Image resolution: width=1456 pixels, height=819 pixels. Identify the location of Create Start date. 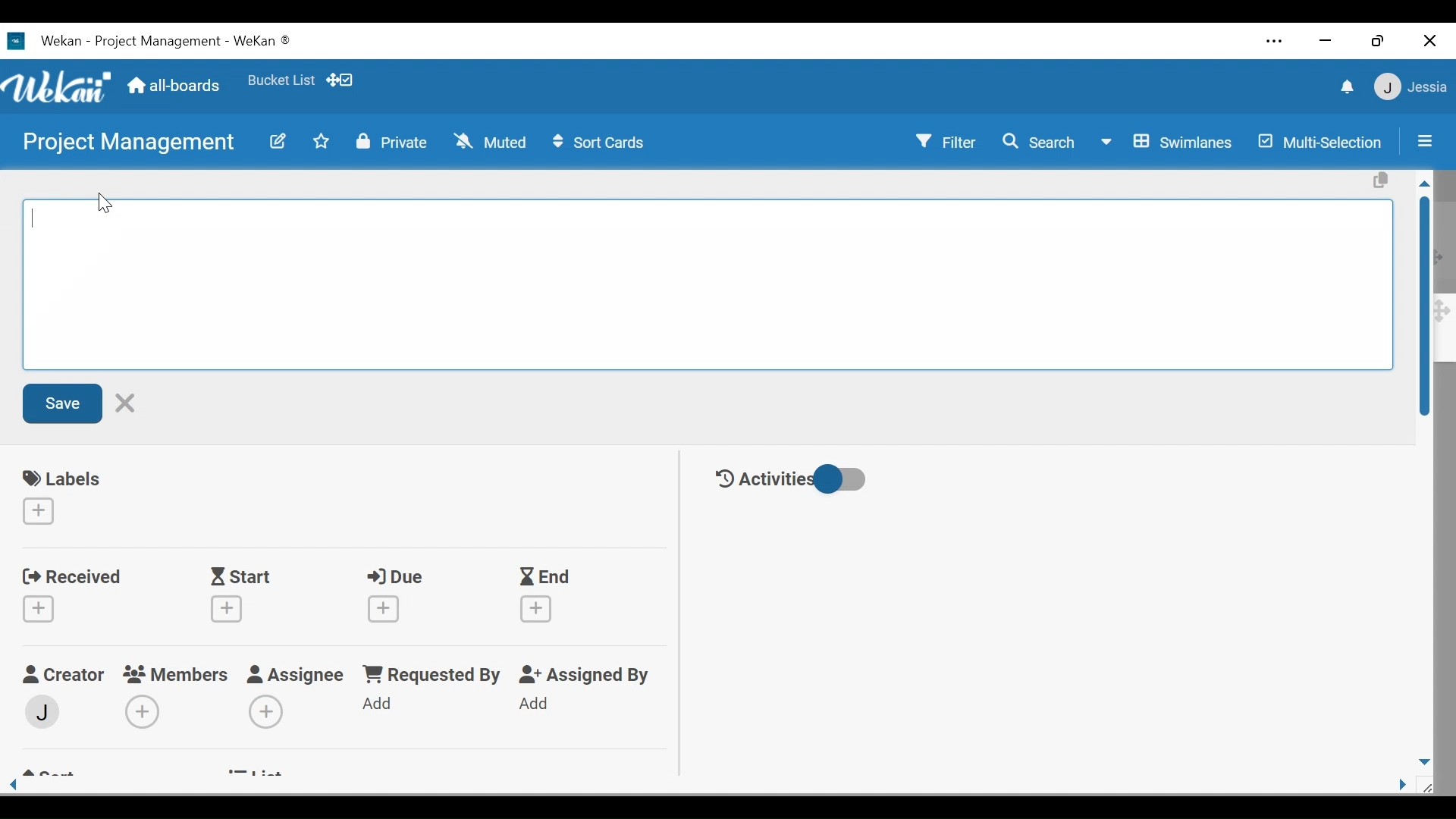
(227, 609).